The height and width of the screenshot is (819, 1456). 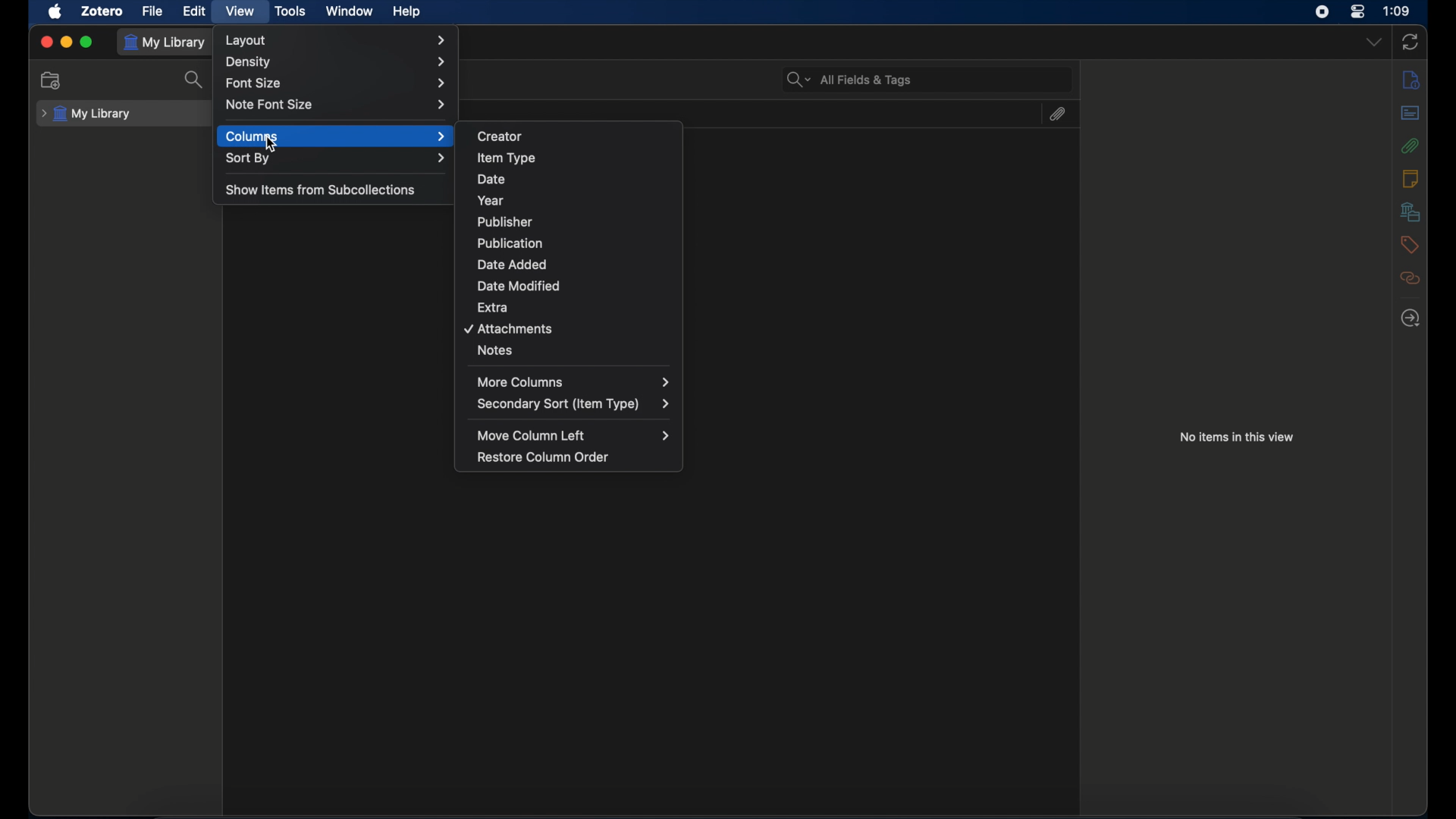 What do you see at coordinates (510, 243) in the screenshot?
I see `publication` at bounding box center [510, 243].